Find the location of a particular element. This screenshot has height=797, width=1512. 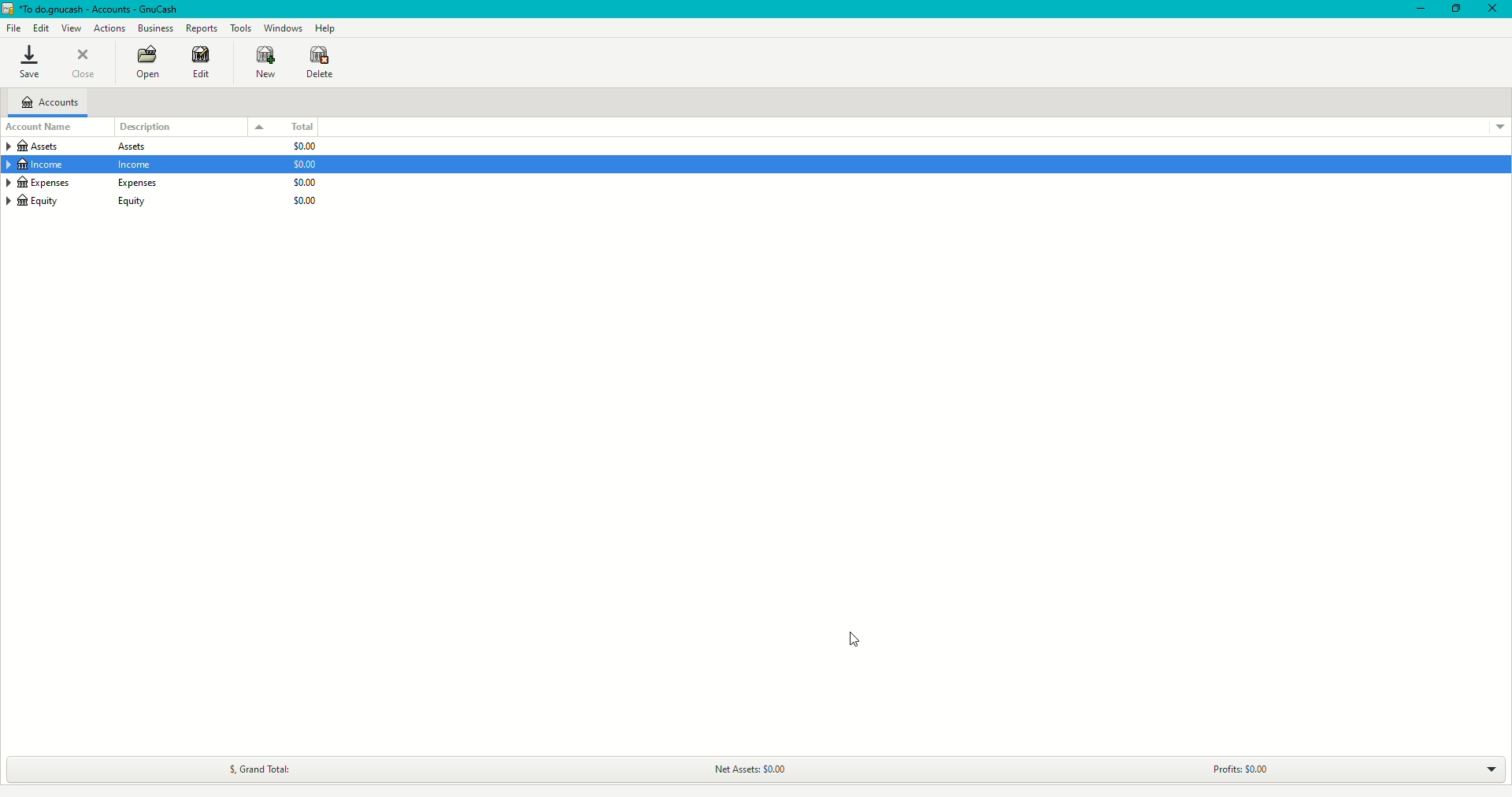

Description is located at coordinates (150, 126).